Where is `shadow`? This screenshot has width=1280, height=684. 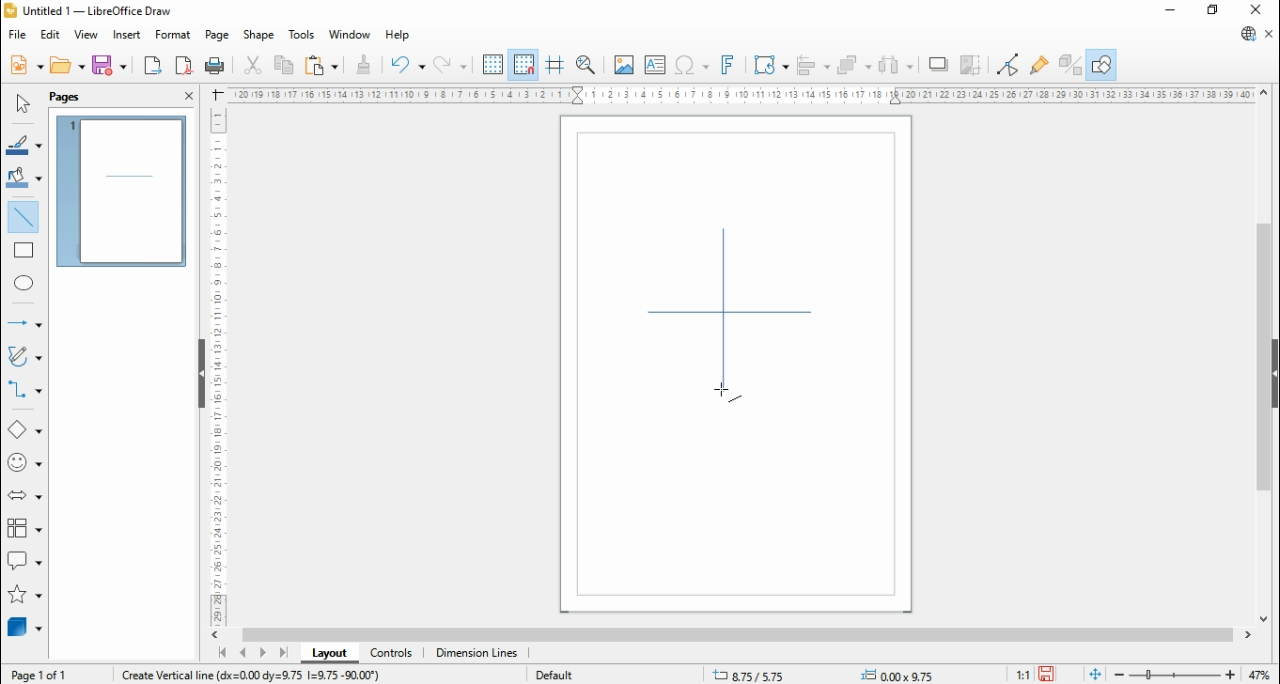 shadow is located at coordinates (940, 64).